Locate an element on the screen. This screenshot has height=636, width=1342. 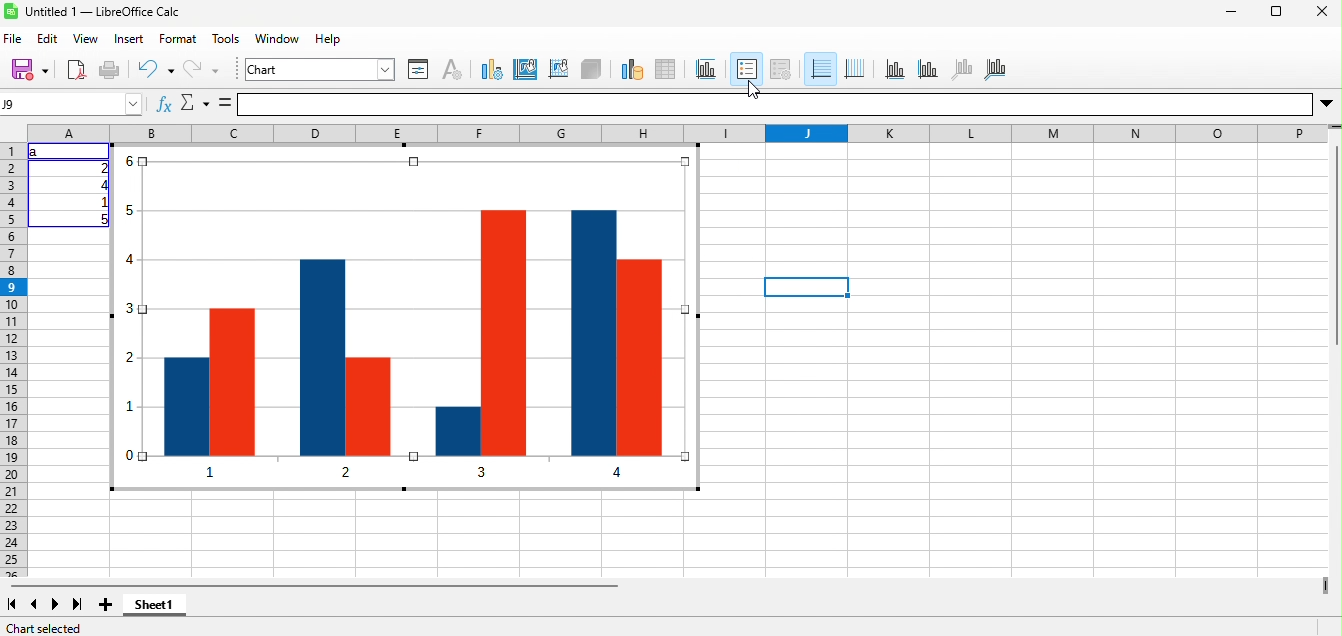
file is located at coordinates (14, 40).